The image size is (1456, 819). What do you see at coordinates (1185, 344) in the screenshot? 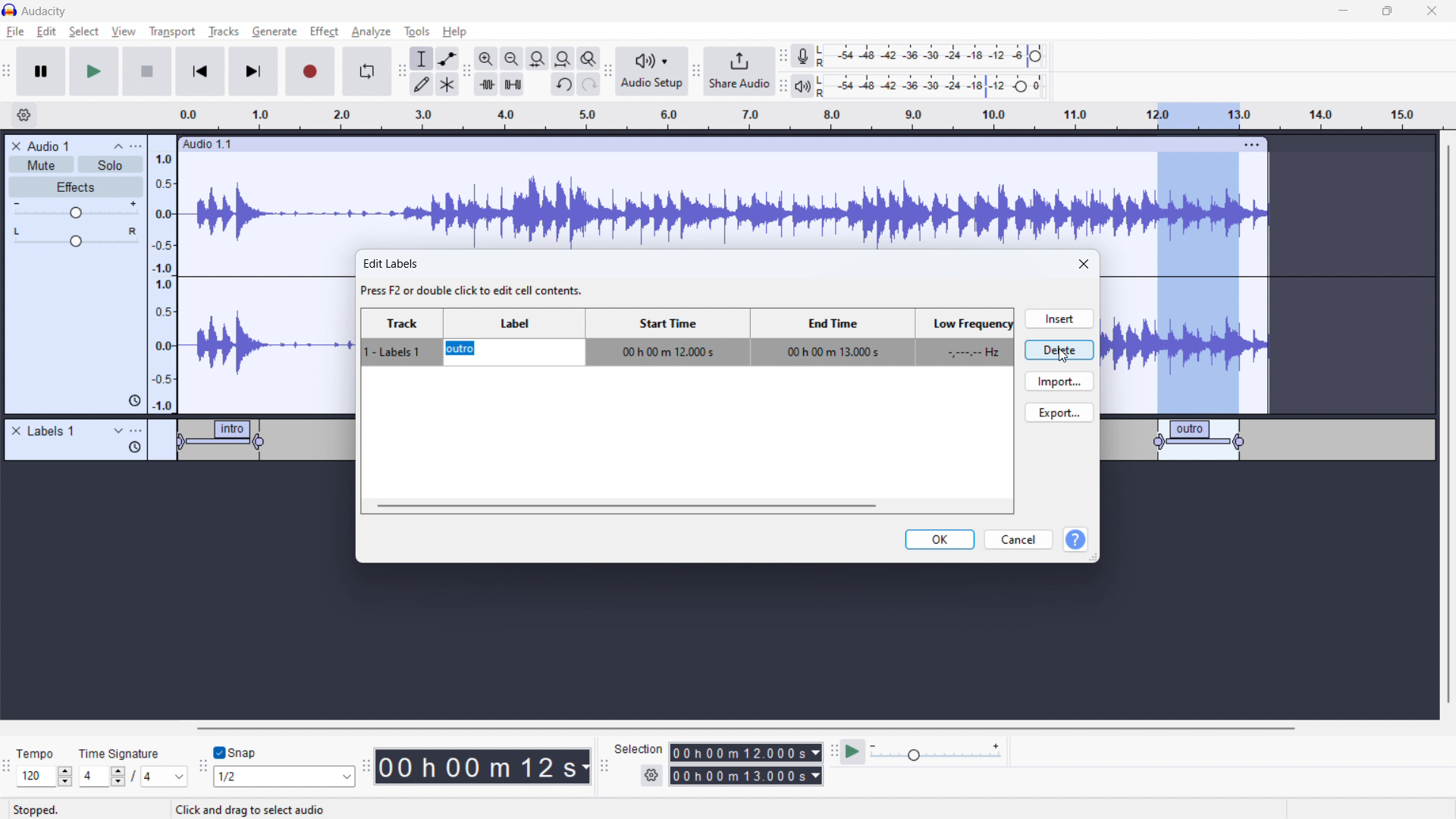
I see `audio wave` at bounding box center [1185, 344].